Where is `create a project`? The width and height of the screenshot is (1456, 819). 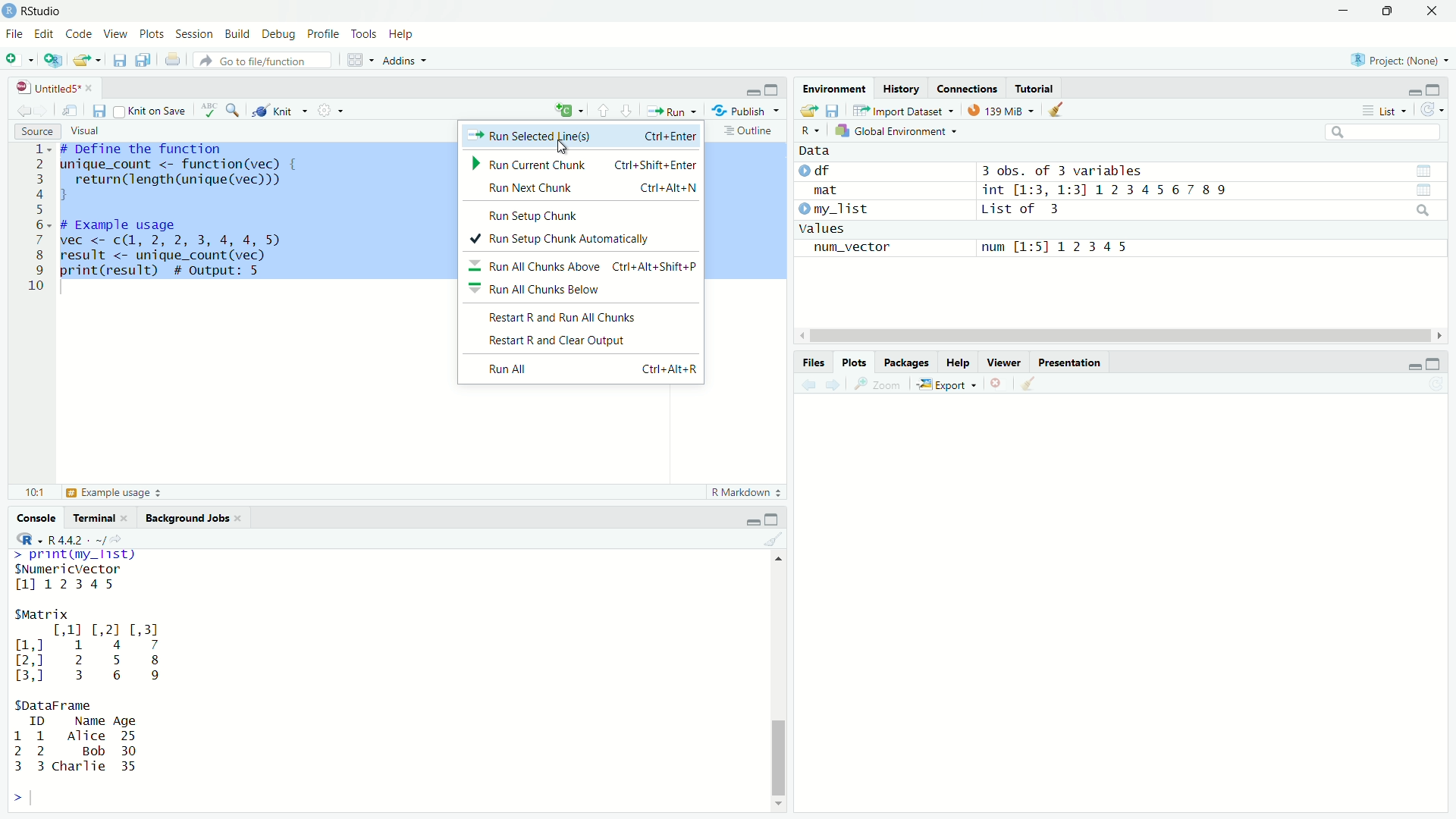
create a project is located at coordinates (55, 60).